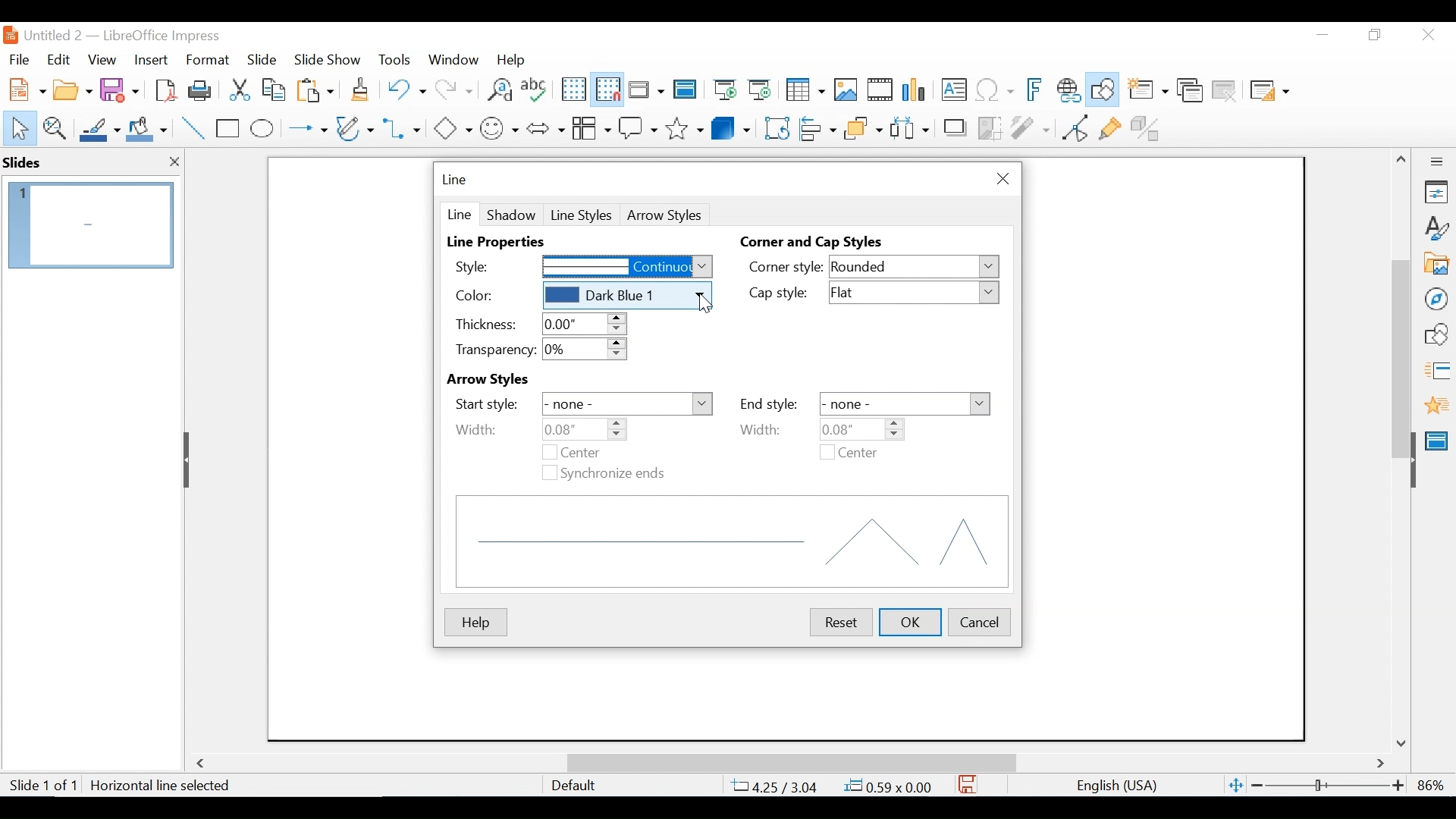 The width and height of the screenshot is (1456, 819). Describe the element at coordinates (968, 784) in the screenshot. I see `Save` at that location.